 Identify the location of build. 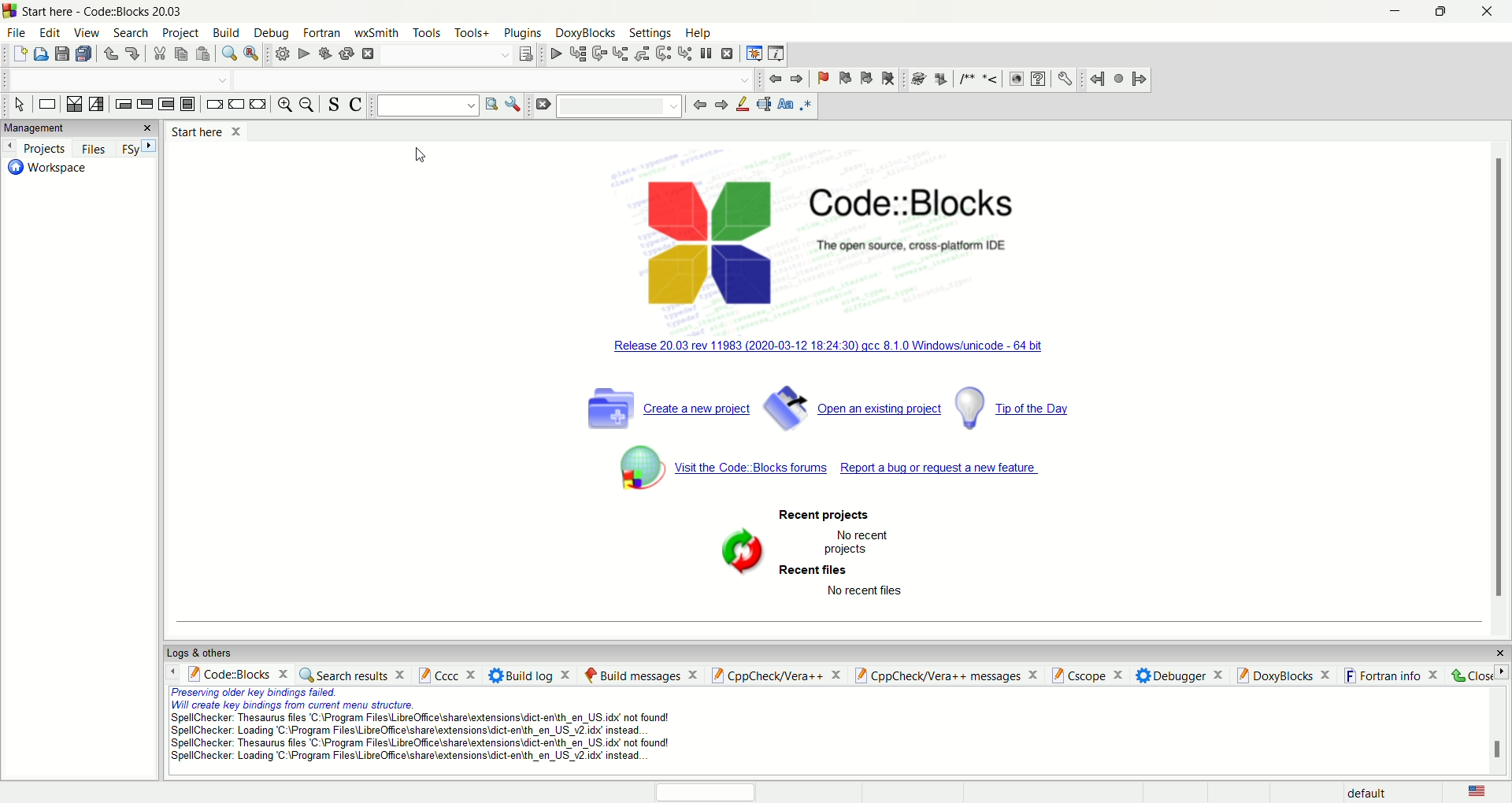
(224, 33).